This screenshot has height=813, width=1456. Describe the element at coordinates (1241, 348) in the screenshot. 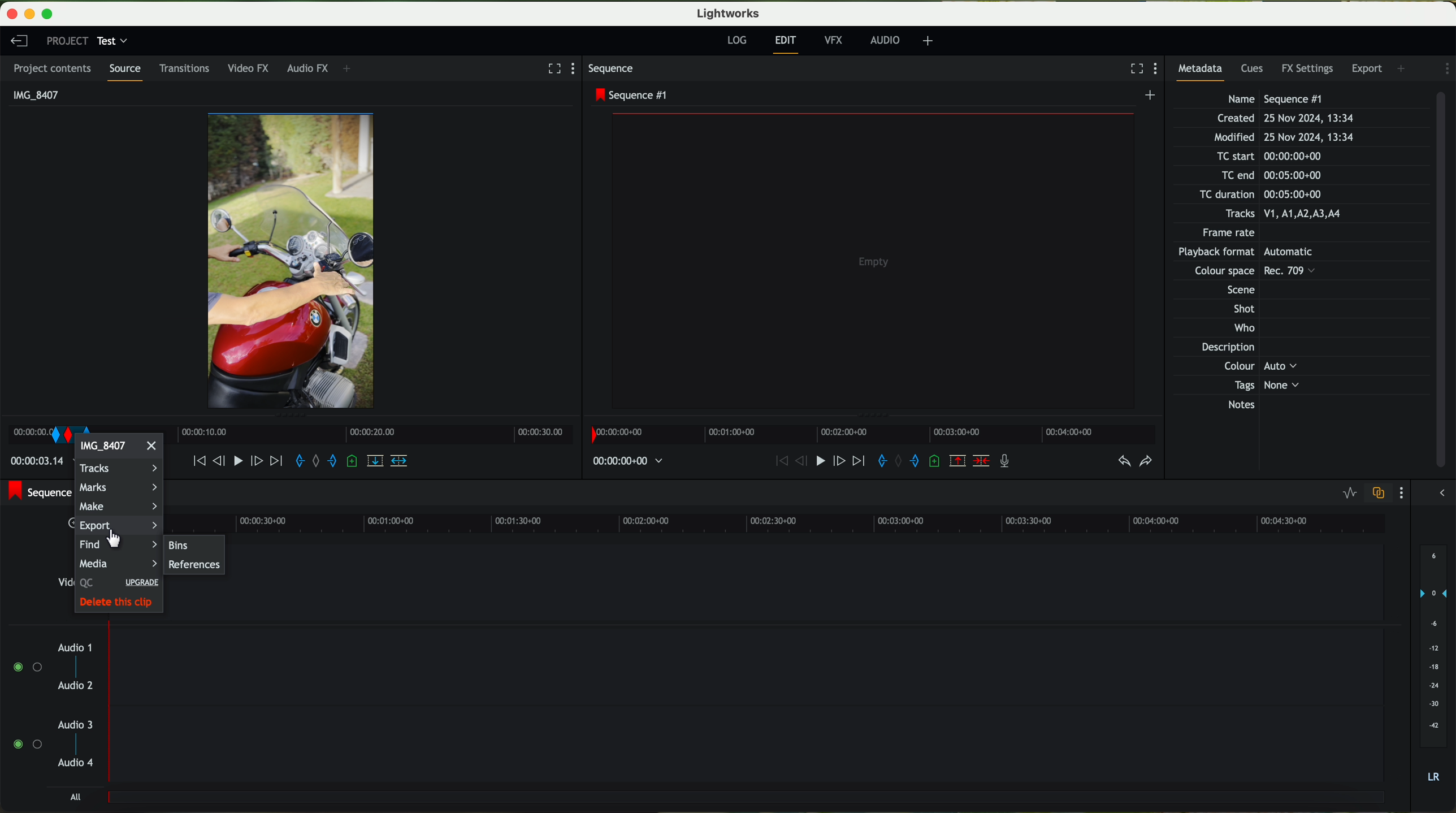

I see `Description` at that location.